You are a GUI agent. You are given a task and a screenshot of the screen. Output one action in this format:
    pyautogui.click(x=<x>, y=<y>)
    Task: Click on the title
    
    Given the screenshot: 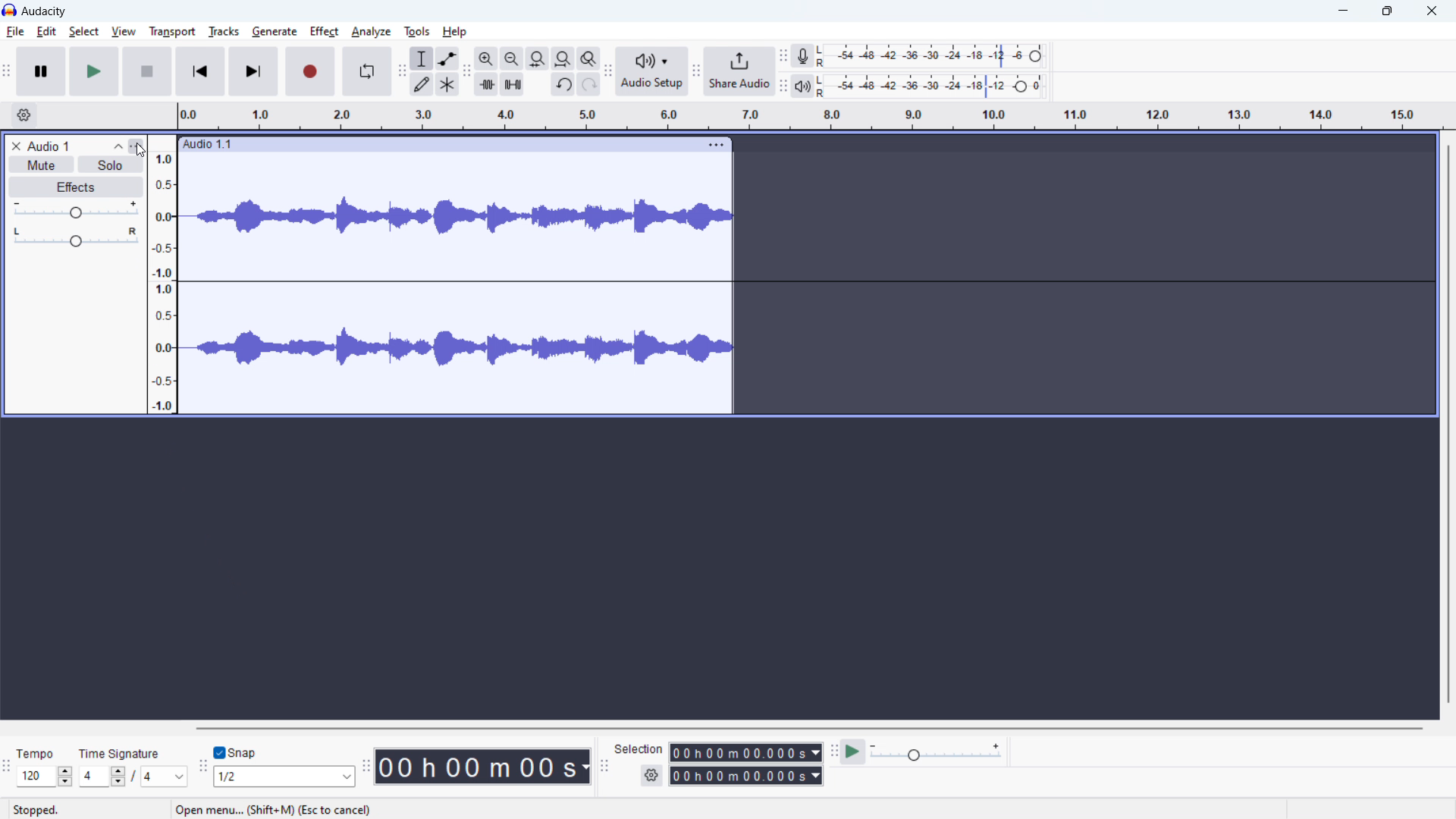 What is the action you would take?
    pyautogui.click(x=44, y=11)
    